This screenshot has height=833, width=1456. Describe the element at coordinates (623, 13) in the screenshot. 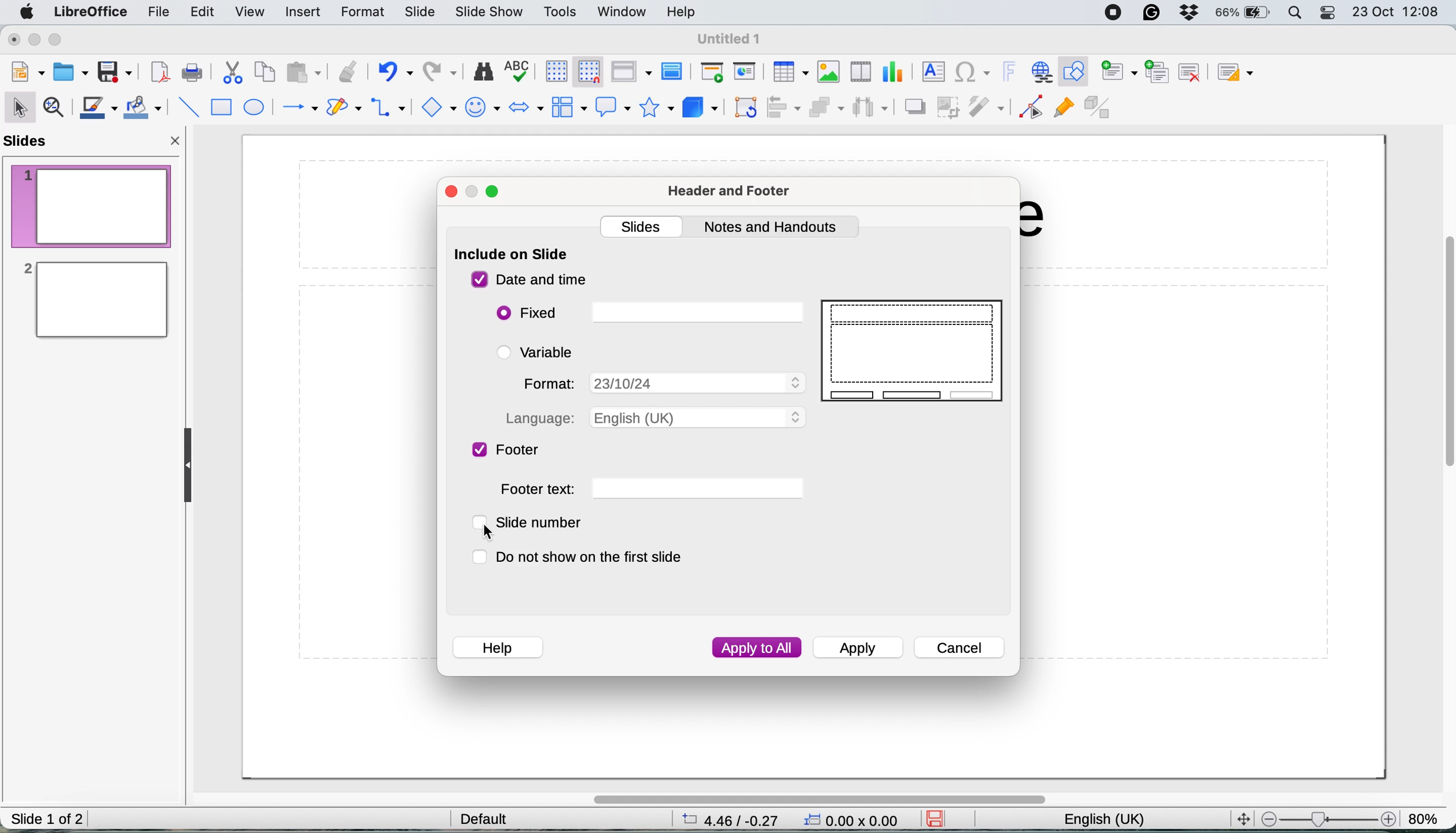

I see `window` at that location.